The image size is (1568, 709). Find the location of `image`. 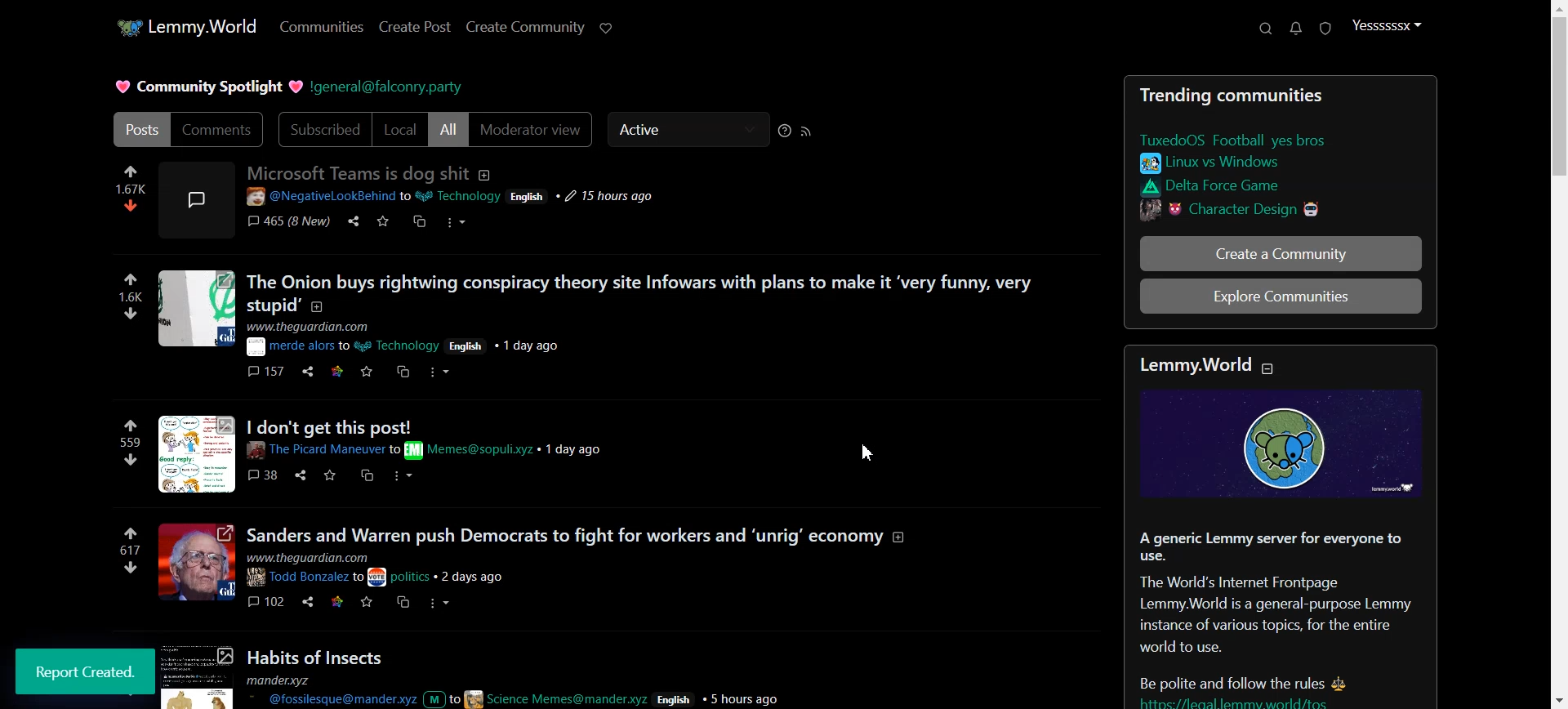

image is located at coordinates (198, 453).